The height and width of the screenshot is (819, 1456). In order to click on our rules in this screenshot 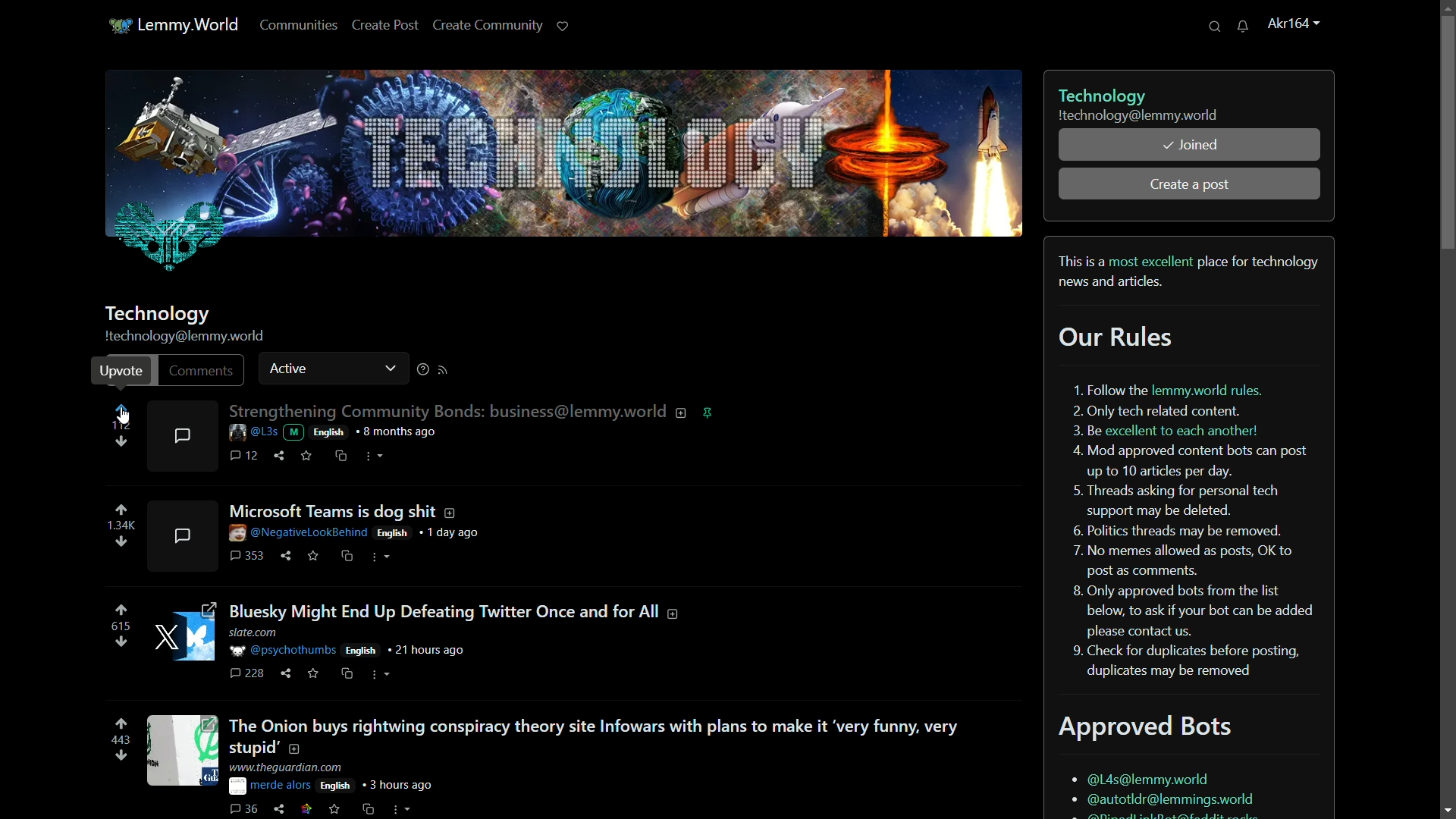, I will do `click(1119, 337)`.